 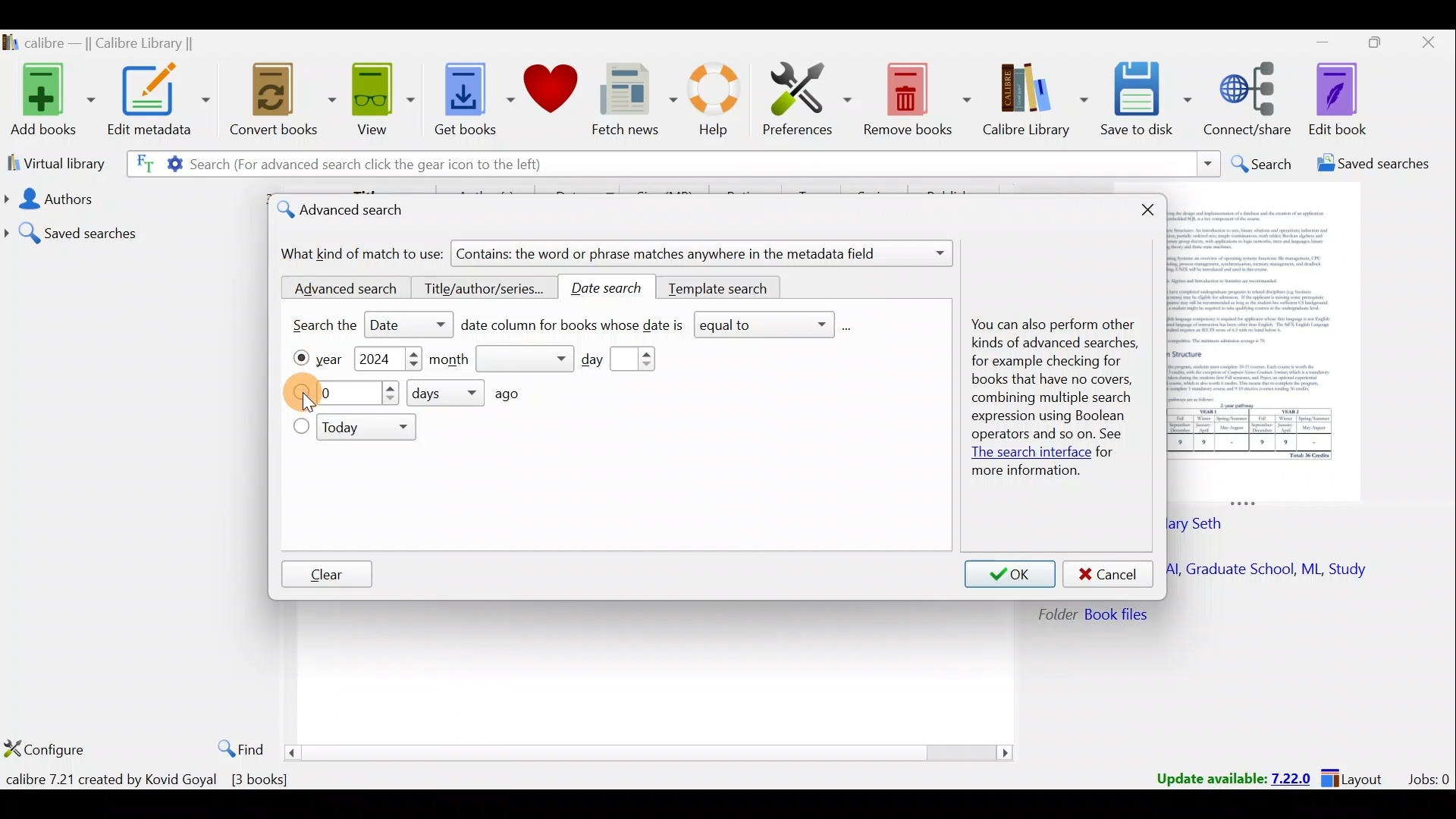 I want to click on Close, so click(x=1426, y=45).